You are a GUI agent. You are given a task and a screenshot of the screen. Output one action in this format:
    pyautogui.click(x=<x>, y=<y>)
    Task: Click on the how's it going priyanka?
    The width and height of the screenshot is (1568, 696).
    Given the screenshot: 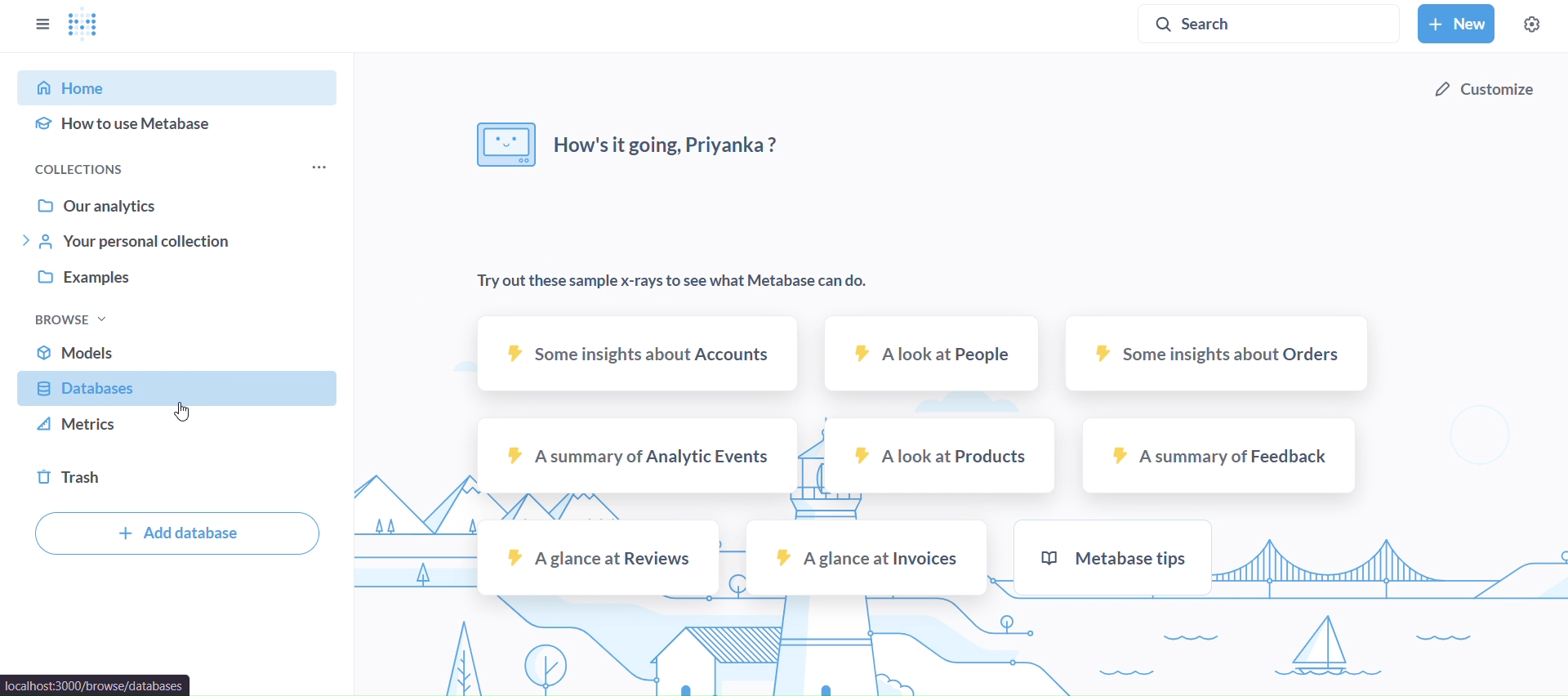 What is the action you would take?
    pyautogui.click(x=633, y=143)
    